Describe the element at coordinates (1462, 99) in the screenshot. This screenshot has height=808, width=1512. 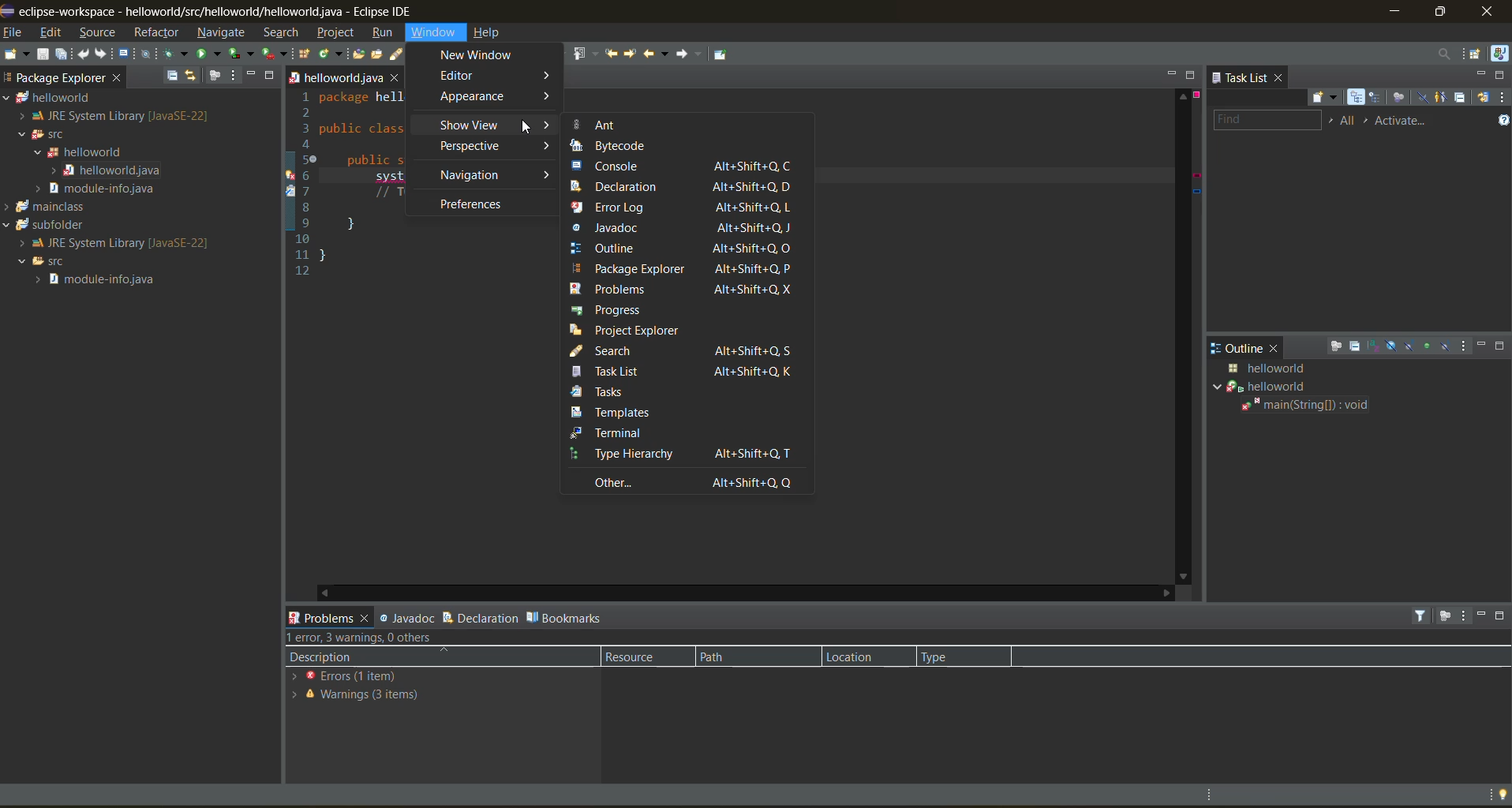
I see `collapse all` at that location.